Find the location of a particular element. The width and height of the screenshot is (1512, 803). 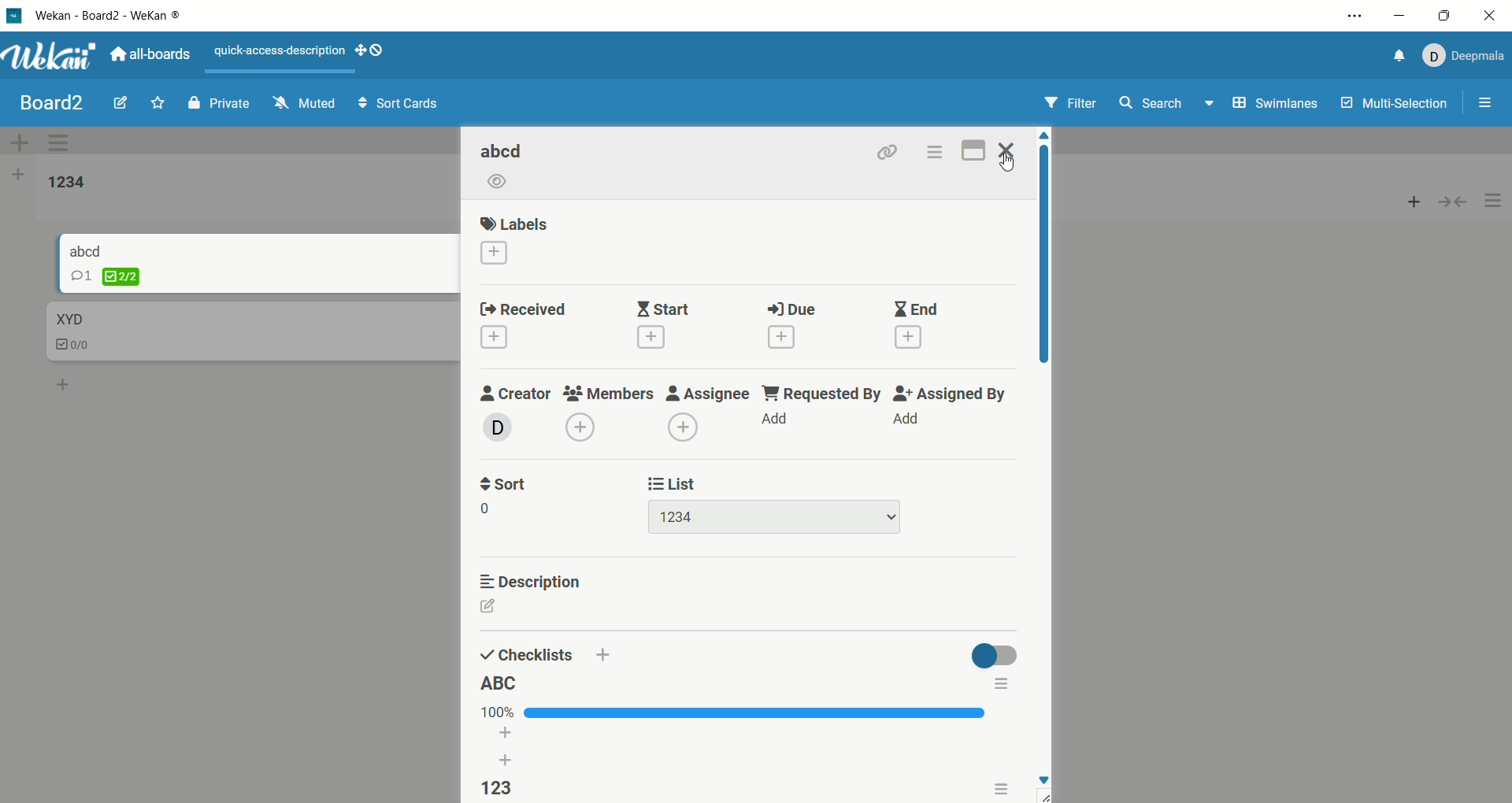

swimlanes is located at coordinates (1274, 105).